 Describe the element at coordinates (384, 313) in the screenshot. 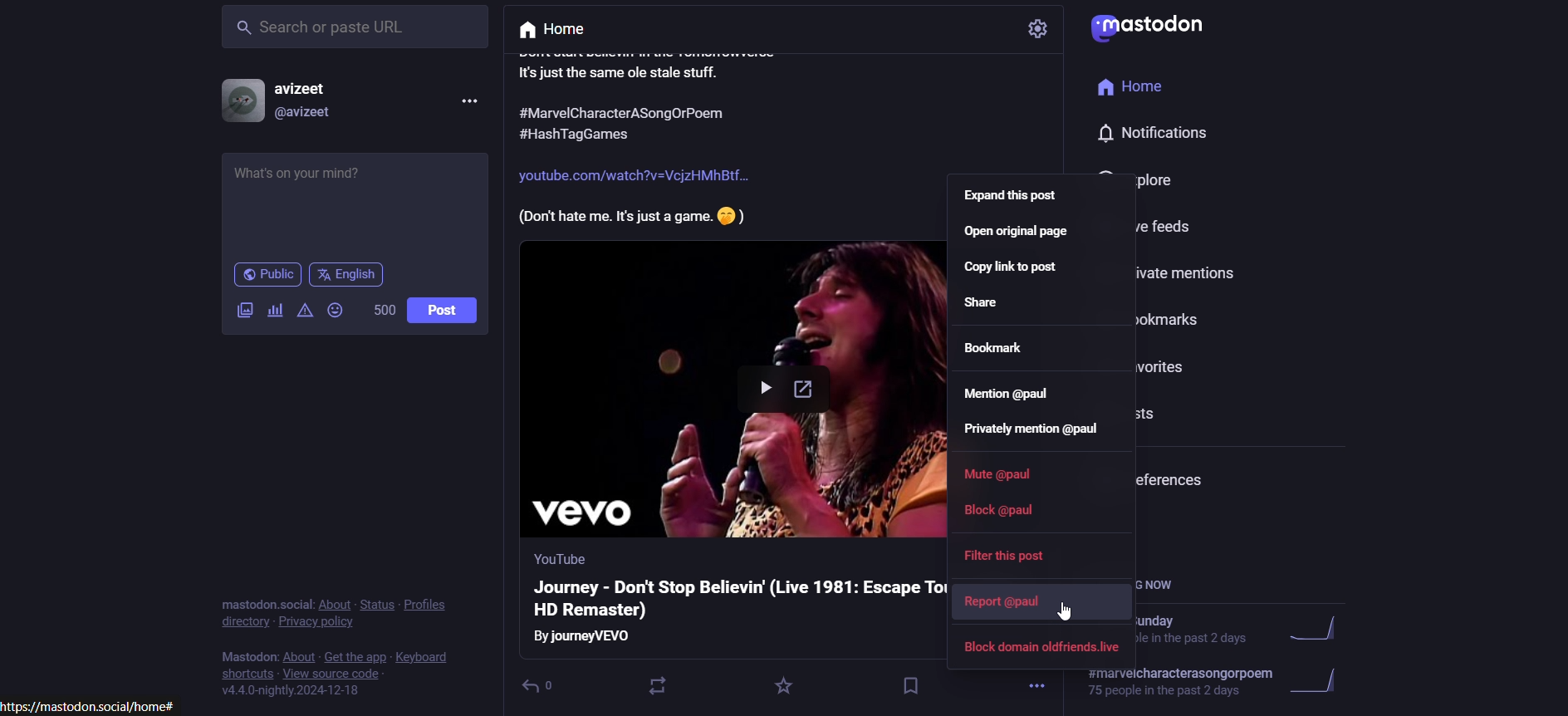

I see `word limit` at that location.